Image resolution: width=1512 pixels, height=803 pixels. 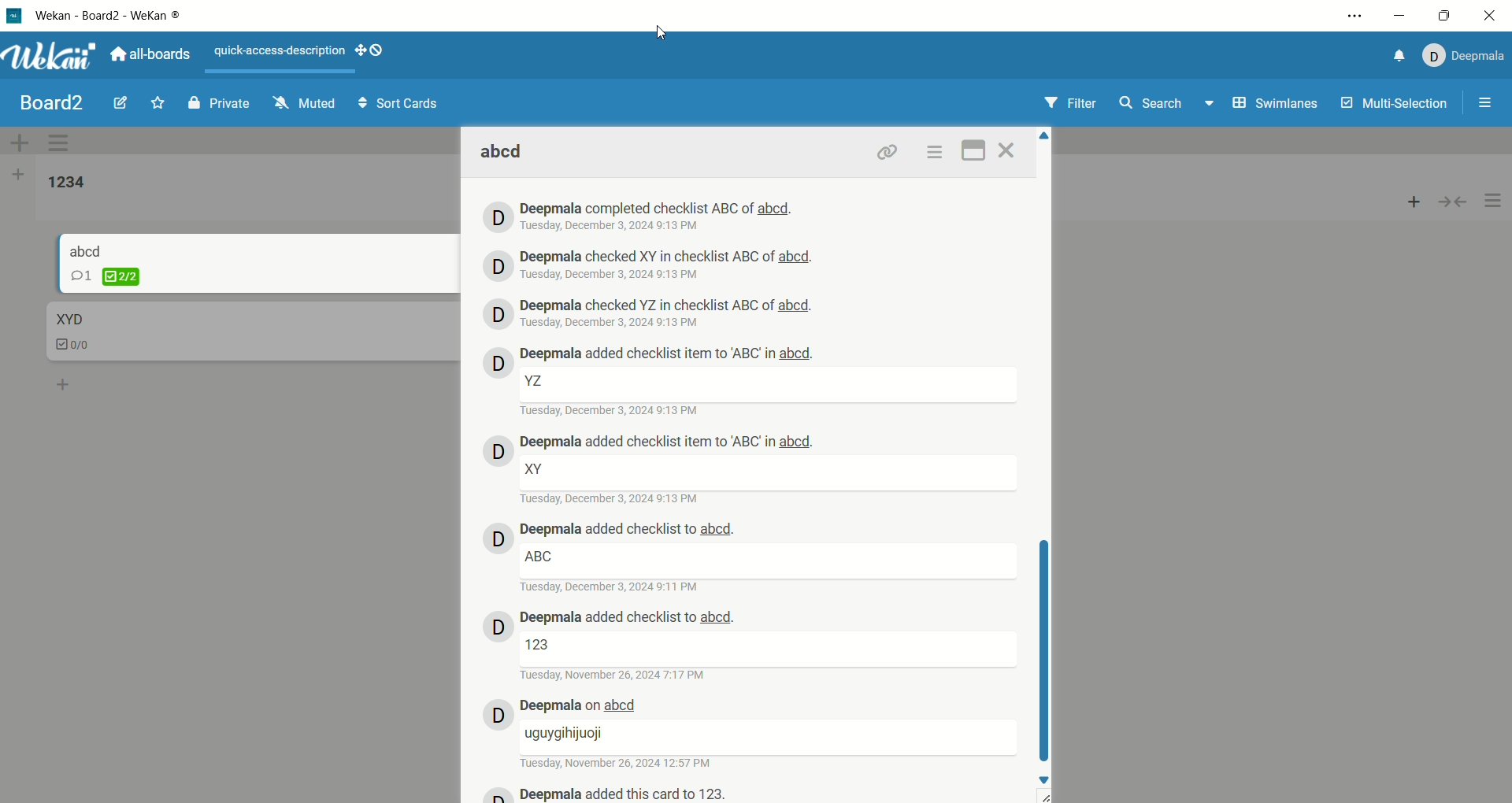 I want to click on add, so click(x=1414, y=198).